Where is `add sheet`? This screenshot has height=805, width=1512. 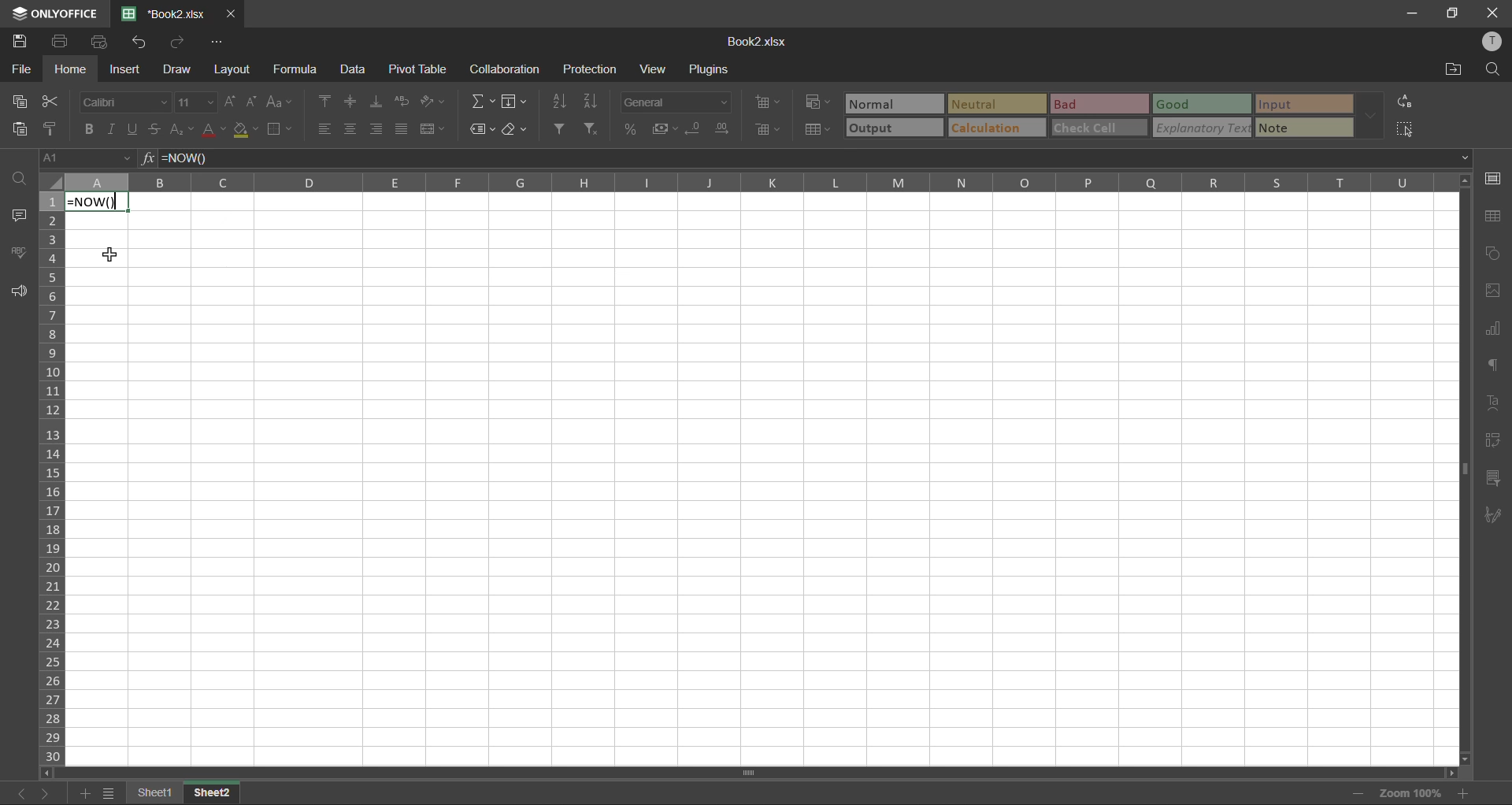
add sheet is located at coordinates (83, 795).